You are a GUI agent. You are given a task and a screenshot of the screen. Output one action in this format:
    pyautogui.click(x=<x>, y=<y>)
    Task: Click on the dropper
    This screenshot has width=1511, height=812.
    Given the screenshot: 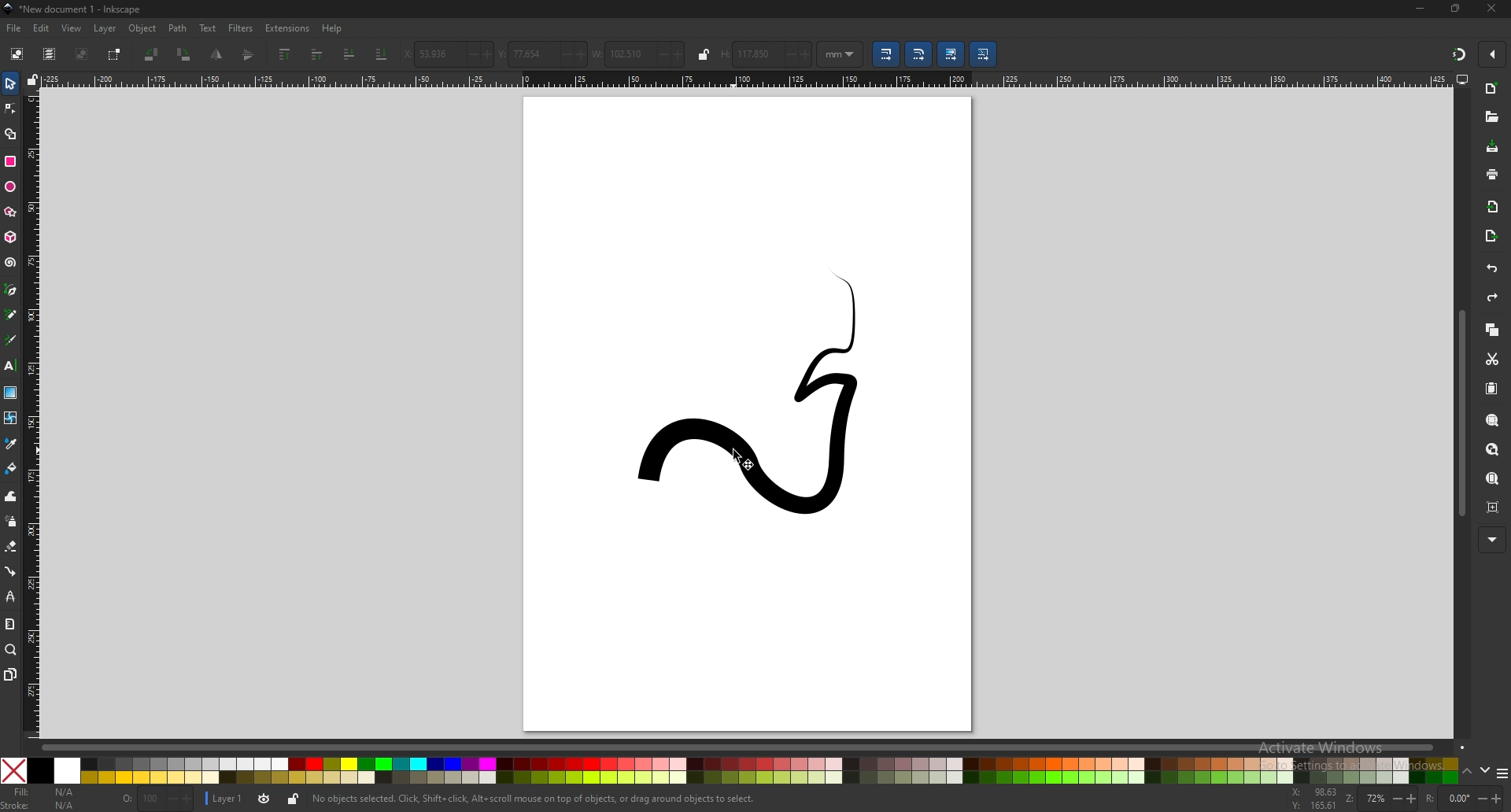 What is the action you would take?
    pyautogui.click(x=11, y=443)
    